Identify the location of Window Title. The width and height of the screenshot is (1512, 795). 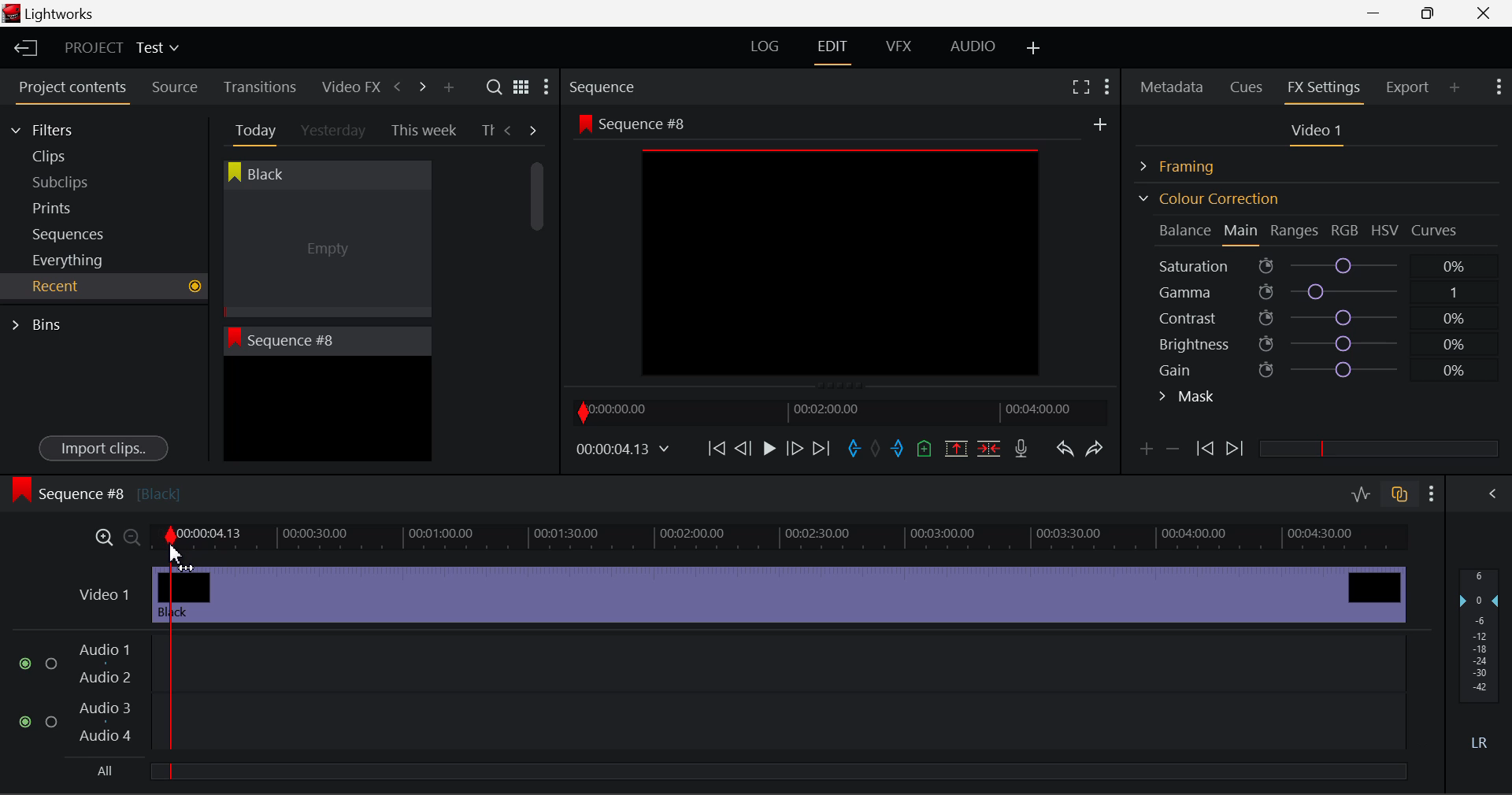
(49, 15).